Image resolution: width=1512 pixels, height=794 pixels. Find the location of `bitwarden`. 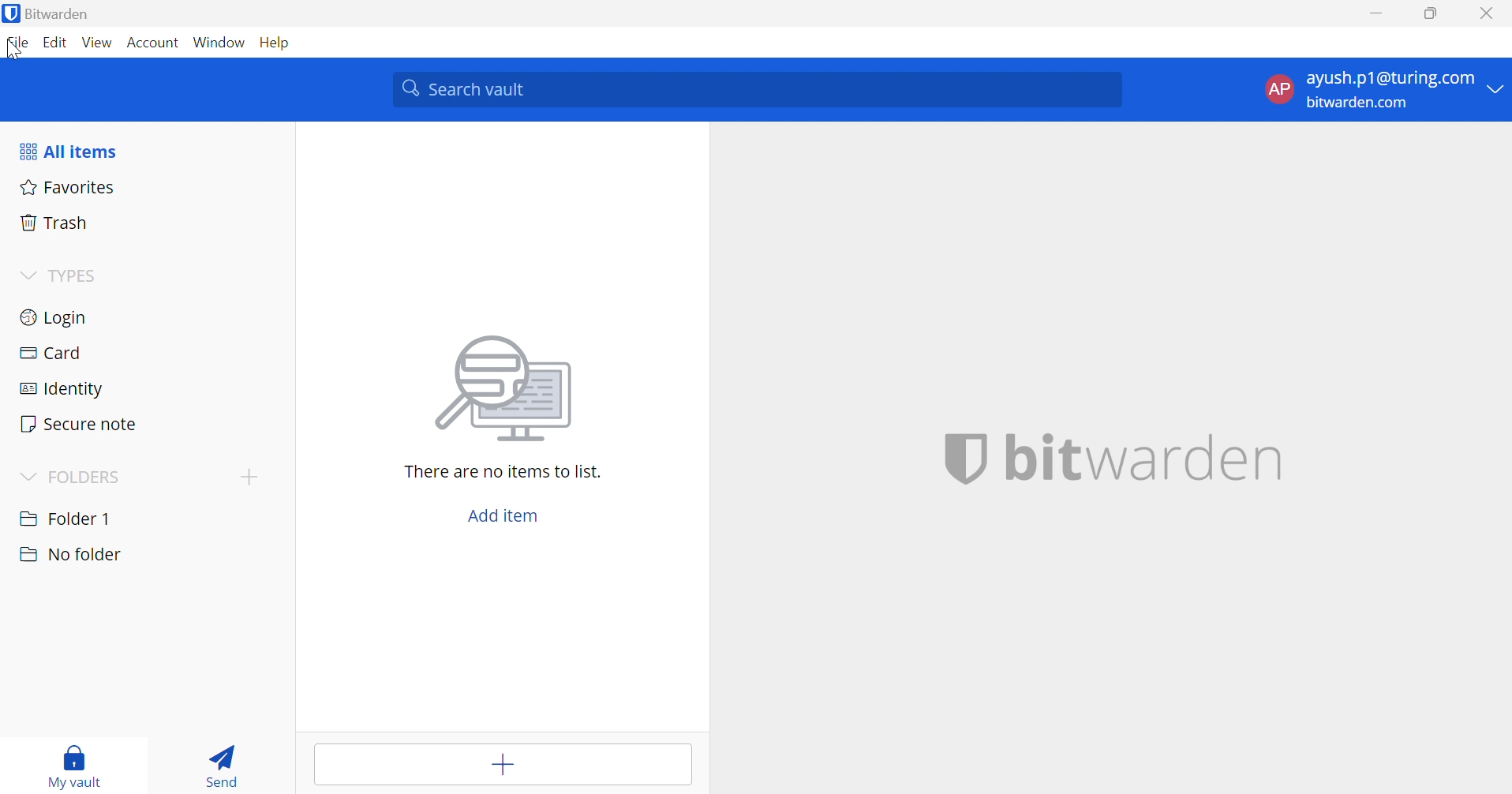

bitwarden is located at coordinates (1106, 459).